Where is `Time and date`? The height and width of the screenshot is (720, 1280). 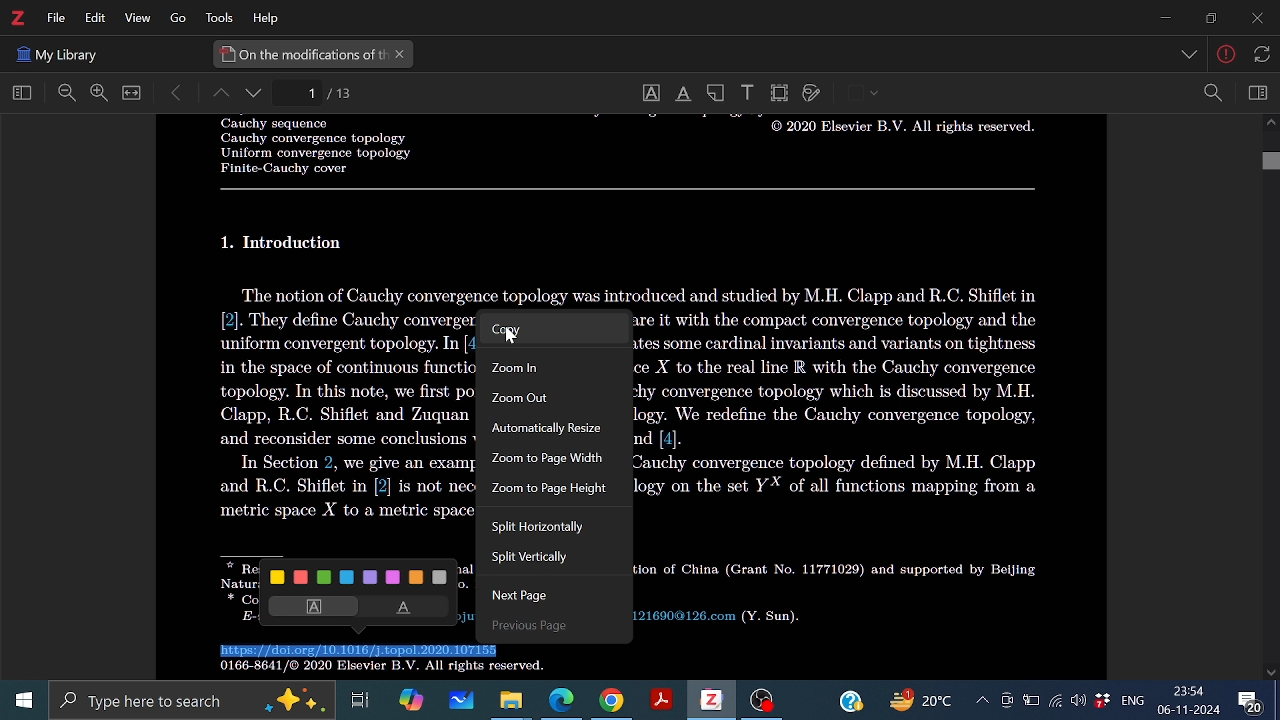 Time and date is located at coordinates (1190, 701).